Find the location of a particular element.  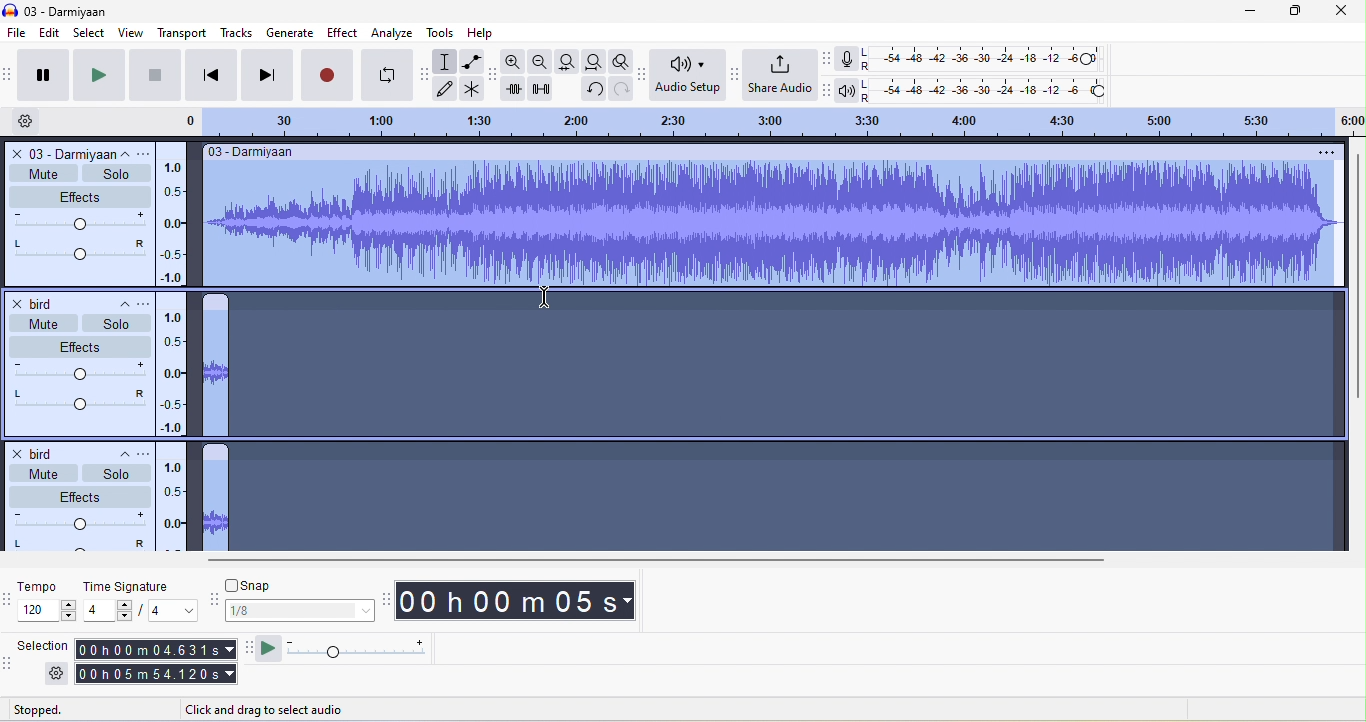

redo is located at coordinates (620, 91).